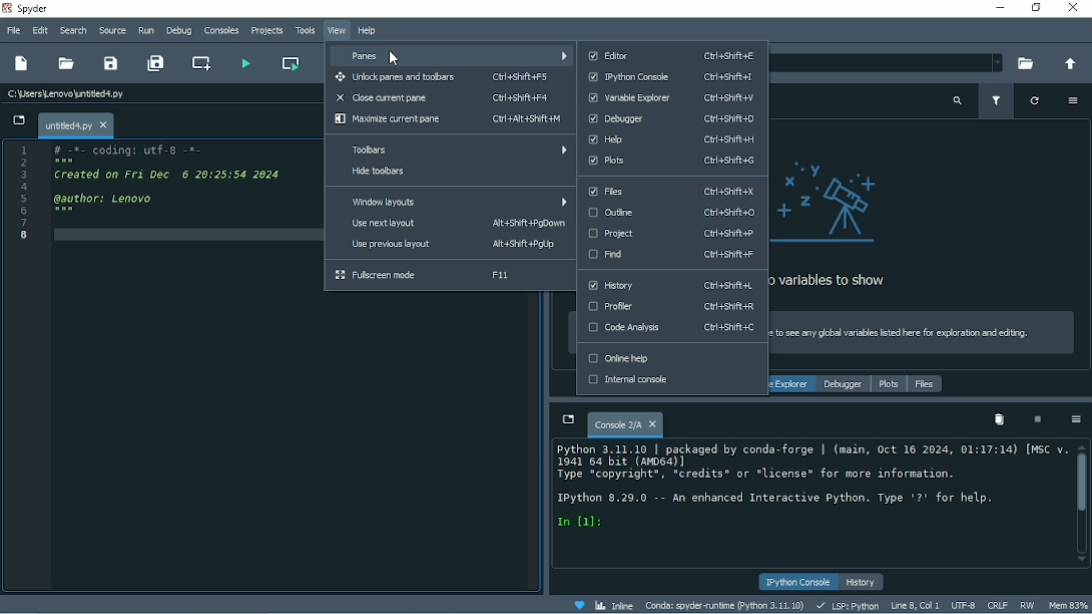  I want to click on Fullscreen mode, so click(425, 276).